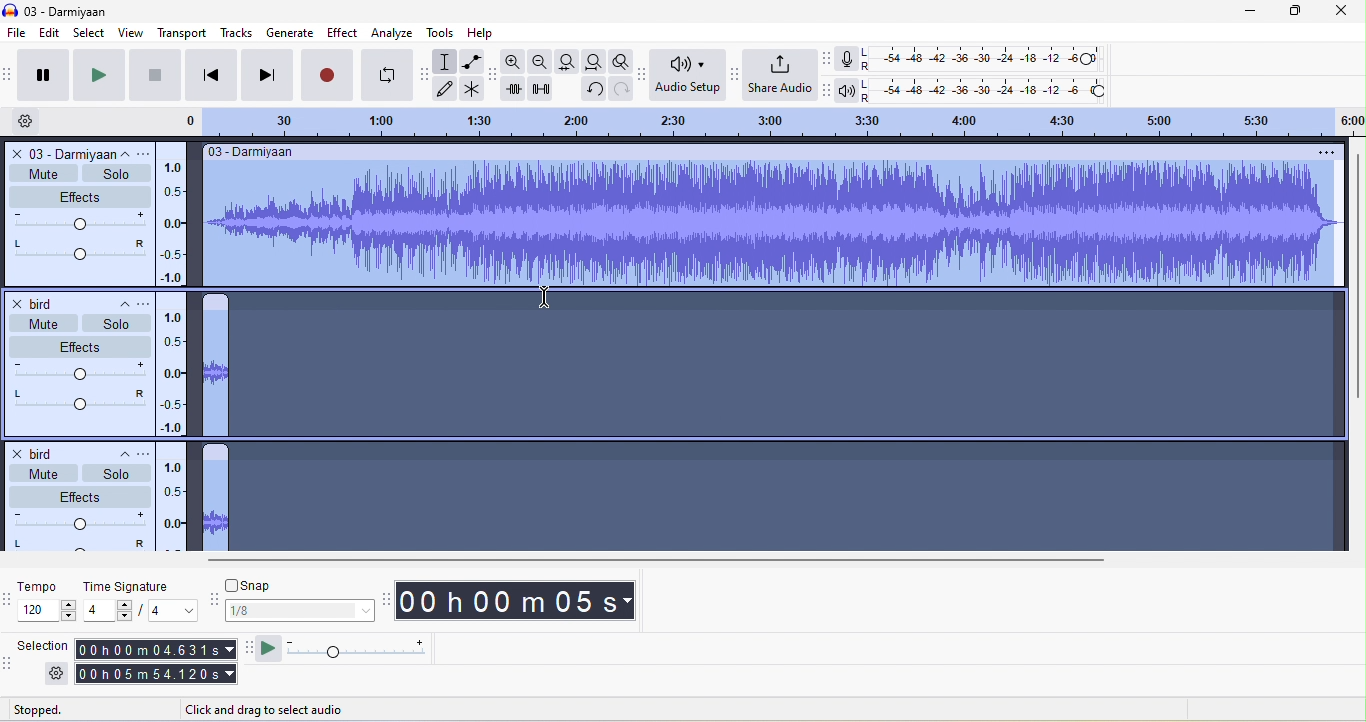 This screenshot has width=1366, height=722. What do you see at coordinates (117, 323) in the screenshot?
I see `solo` at bounding box center [117, 323].